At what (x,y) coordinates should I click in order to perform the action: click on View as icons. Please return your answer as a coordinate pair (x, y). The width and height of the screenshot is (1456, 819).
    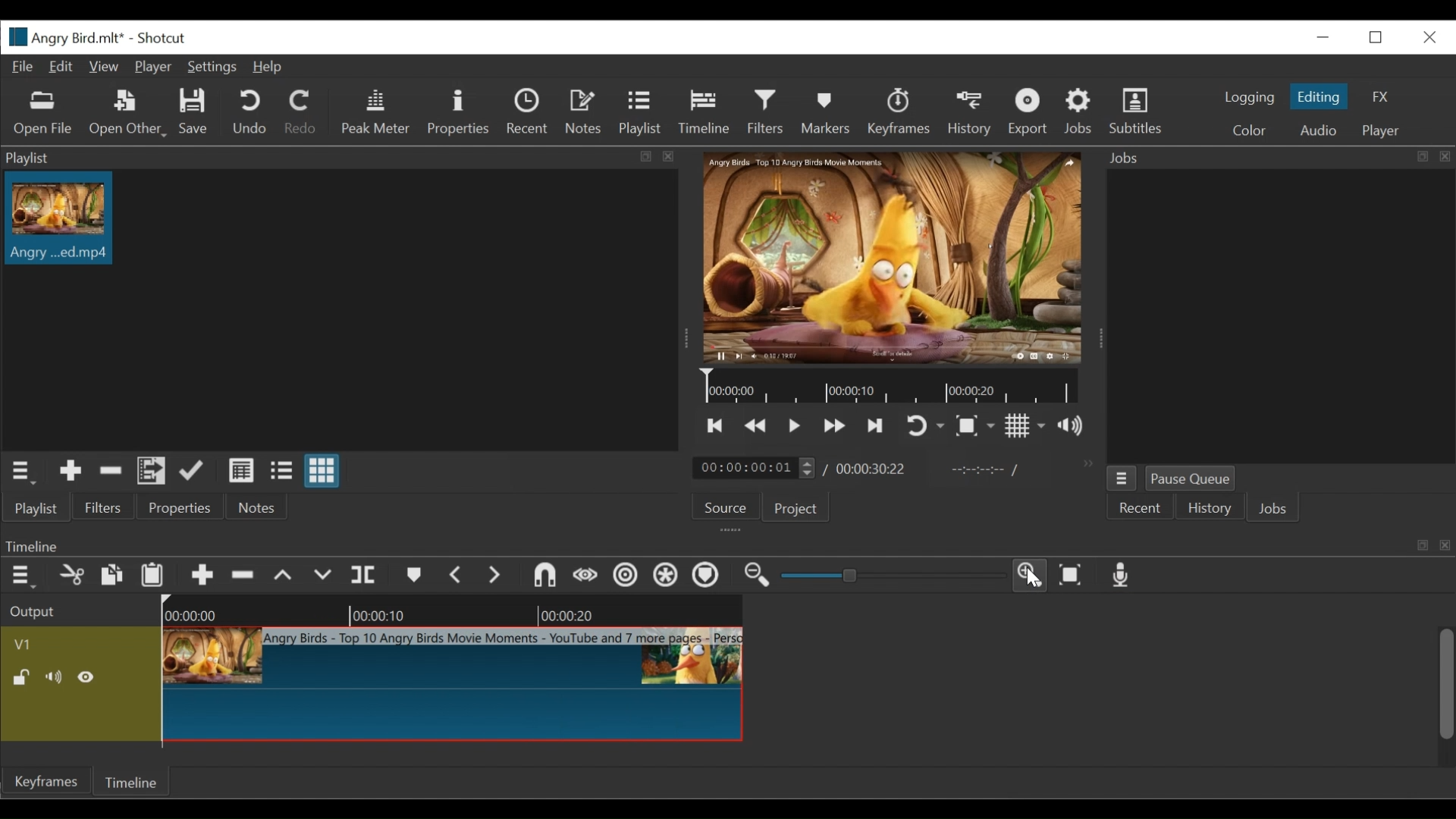
    Looking at the image, I should click on (321, 472).